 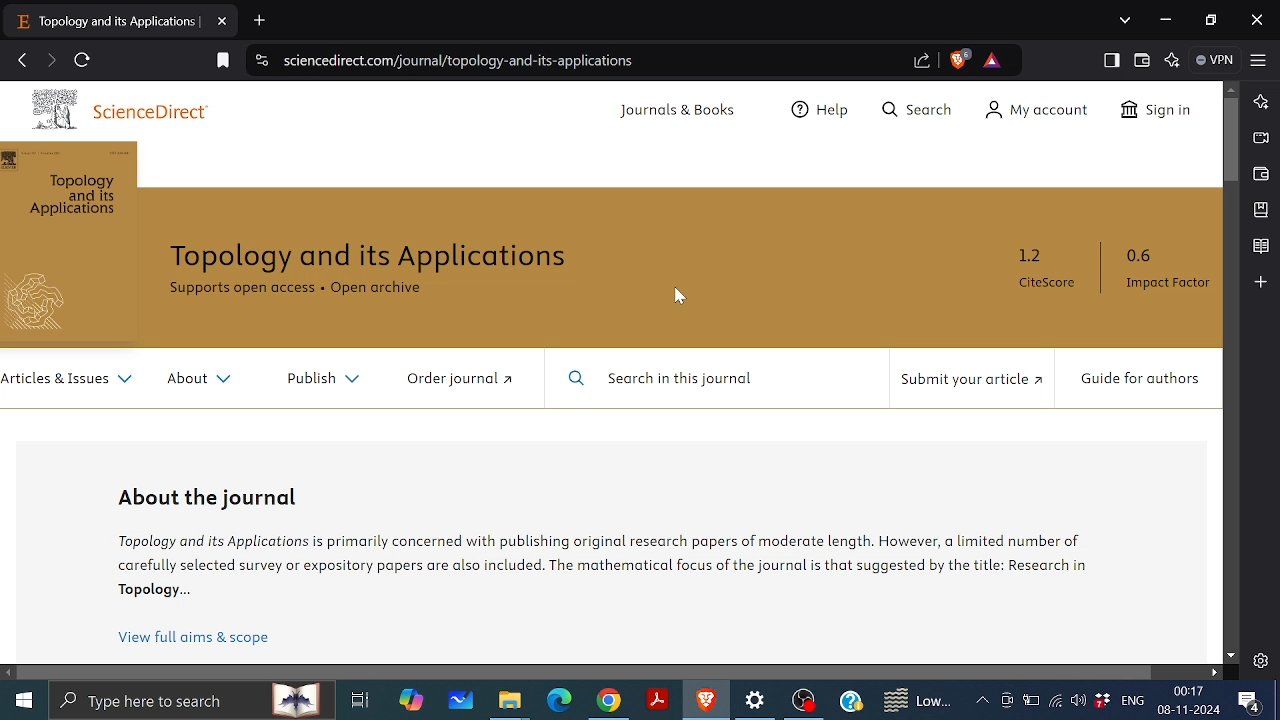 I want to click on Brave talk, so click(x=1260, y=138).